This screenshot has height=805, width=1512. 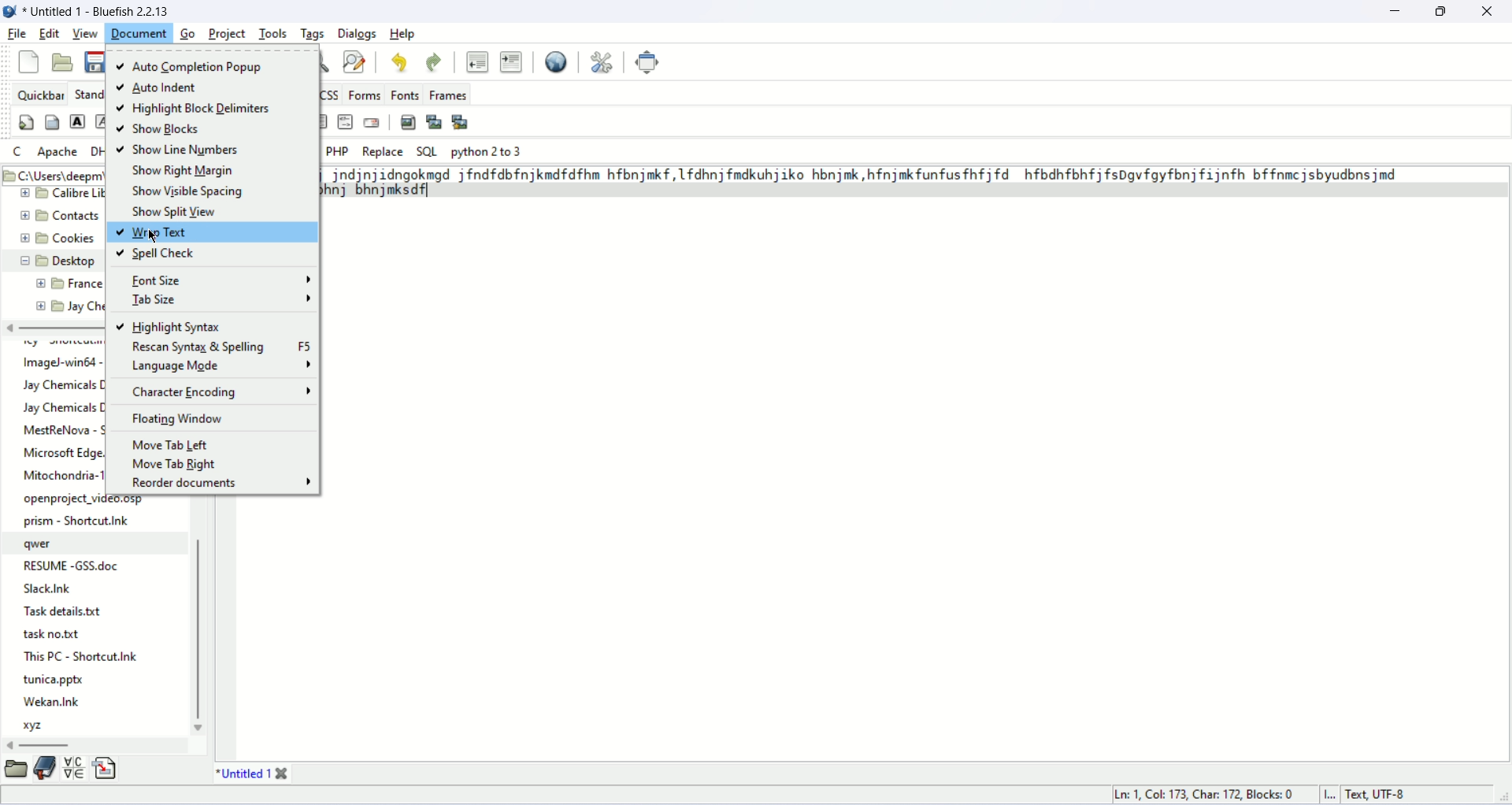 I want to click on C, so click(x=15, y=150).